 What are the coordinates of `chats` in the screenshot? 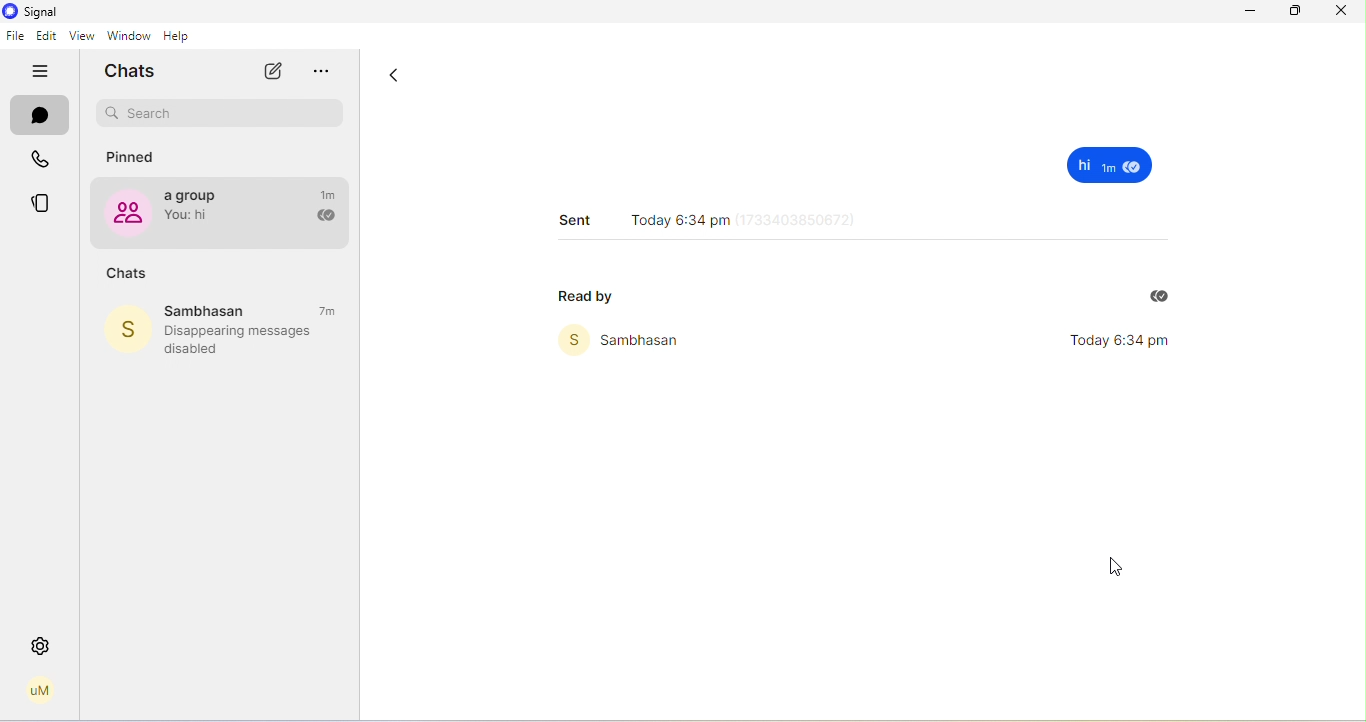 It's located at (127, 274).